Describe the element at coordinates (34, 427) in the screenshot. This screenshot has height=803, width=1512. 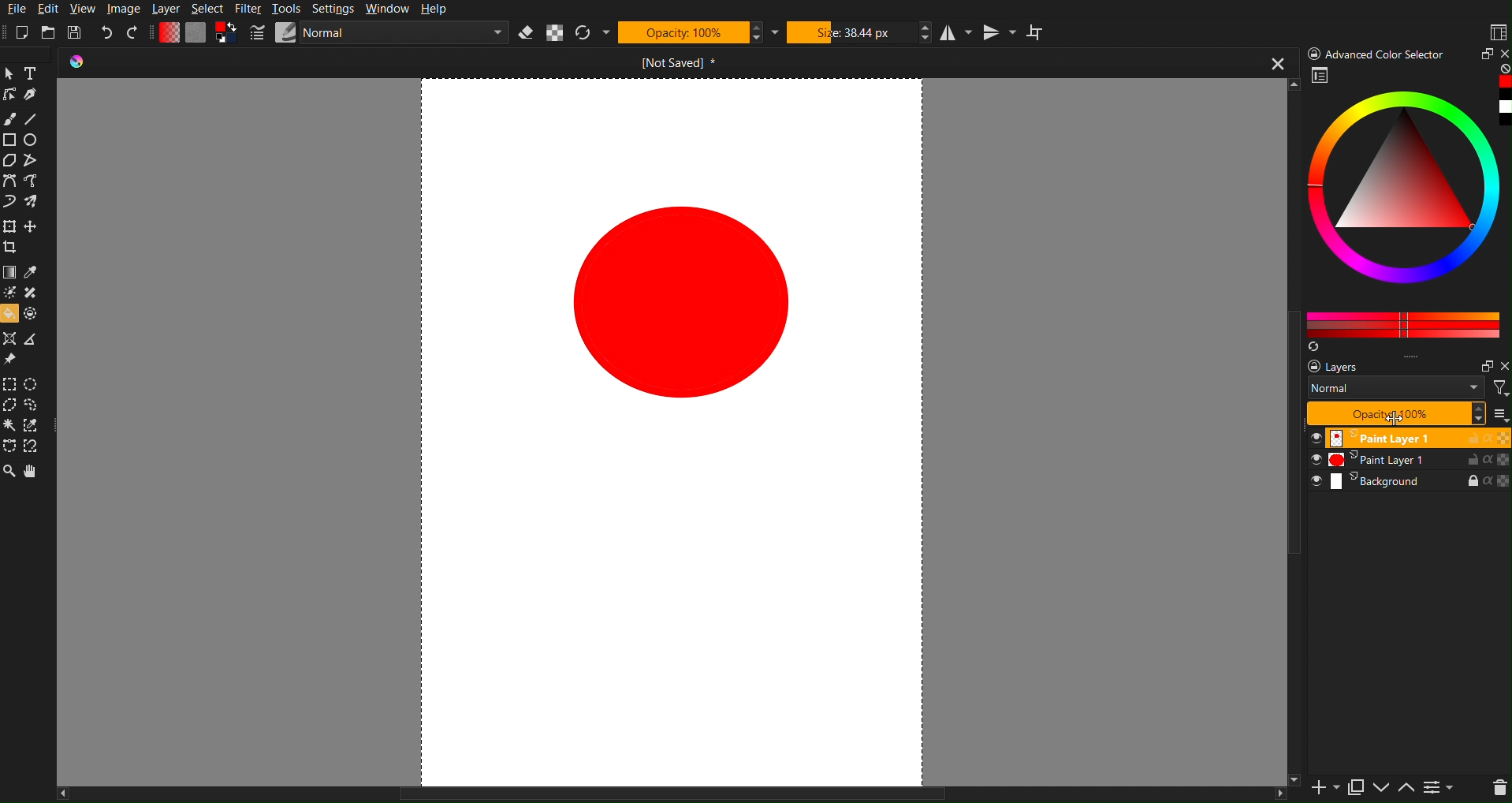
I see `Similar Color` at that location.